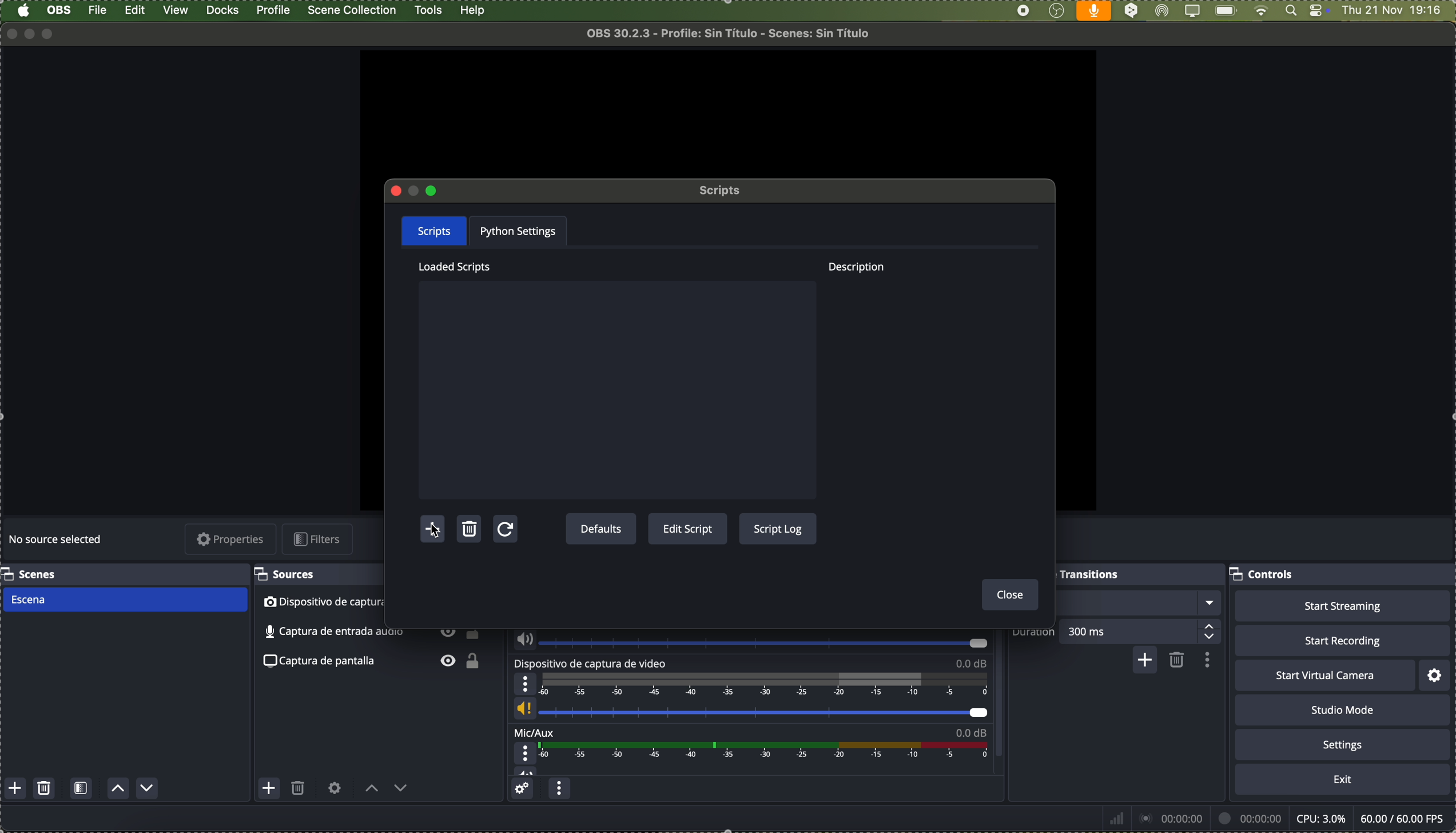 This screenshot has width=1456, height=833. What do you see at coordinates (471, 531) in the screenshot?
I see `delete script` at bounding box center [471, 531].